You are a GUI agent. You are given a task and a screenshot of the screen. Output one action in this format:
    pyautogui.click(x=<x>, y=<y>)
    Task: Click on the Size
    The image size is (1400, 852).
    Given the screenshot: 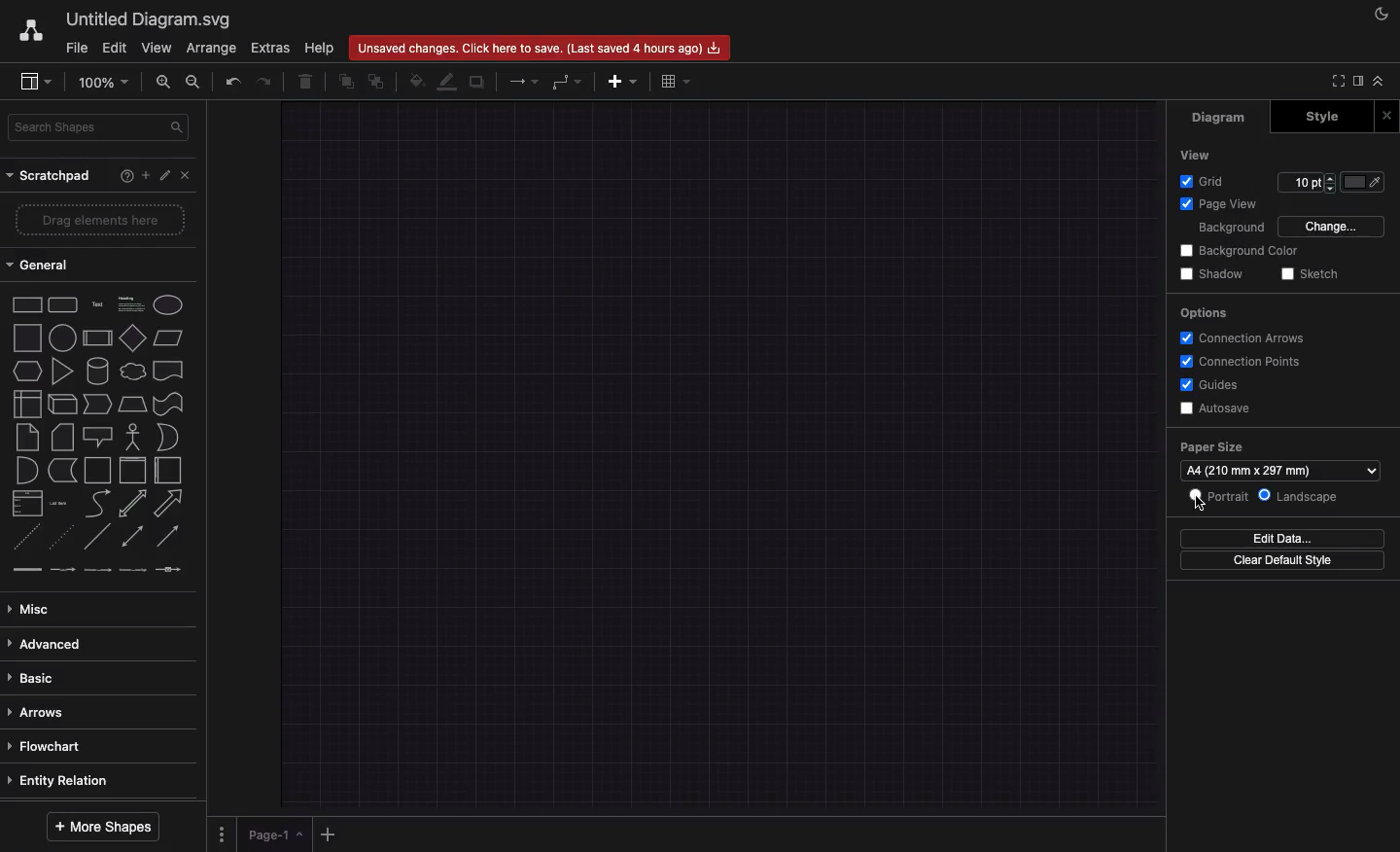 What is the action you would take?
    pyautogui.click(x=1306, y=183)
    